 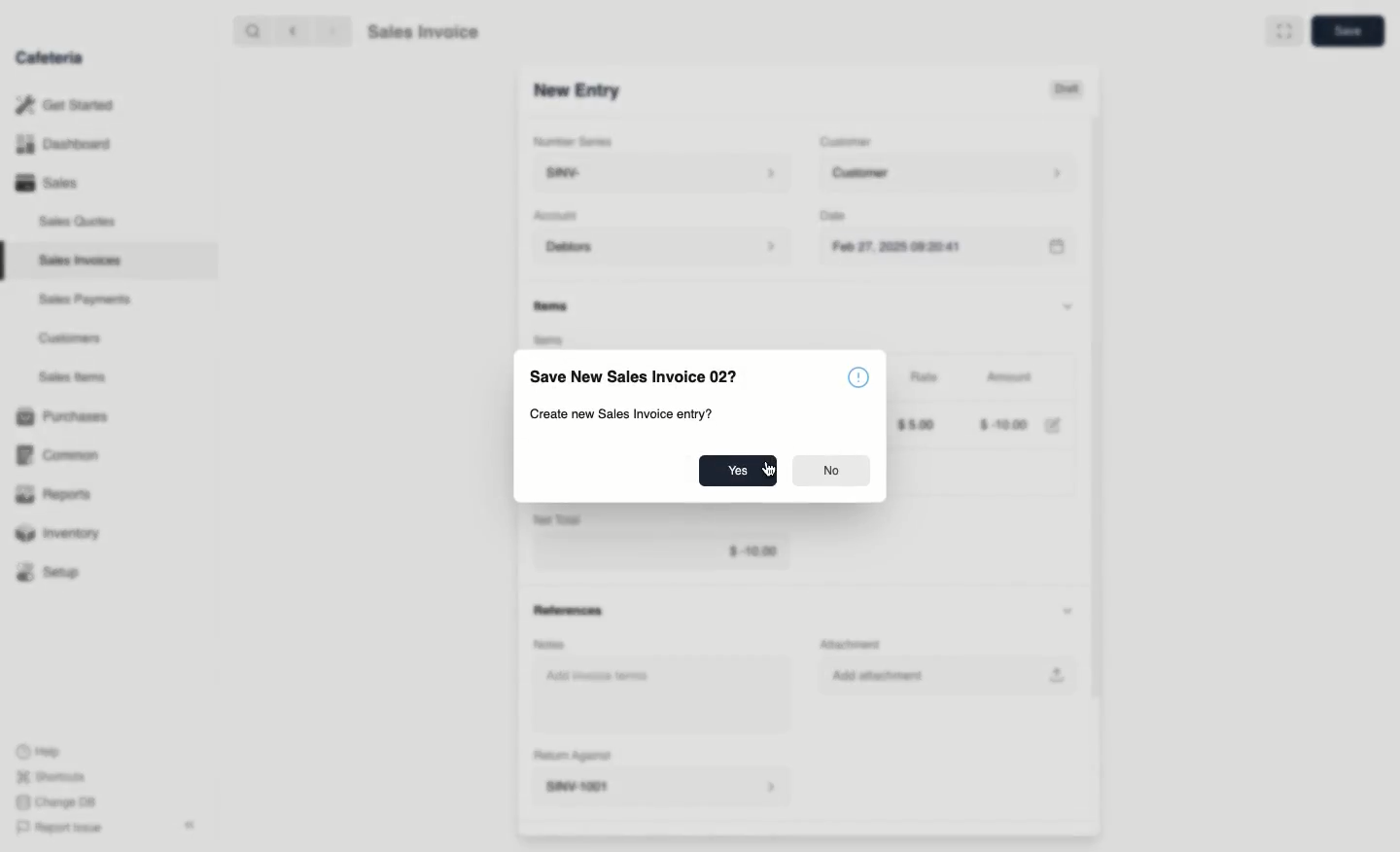 I want to click on Inventory, so click(x=59, y=536).